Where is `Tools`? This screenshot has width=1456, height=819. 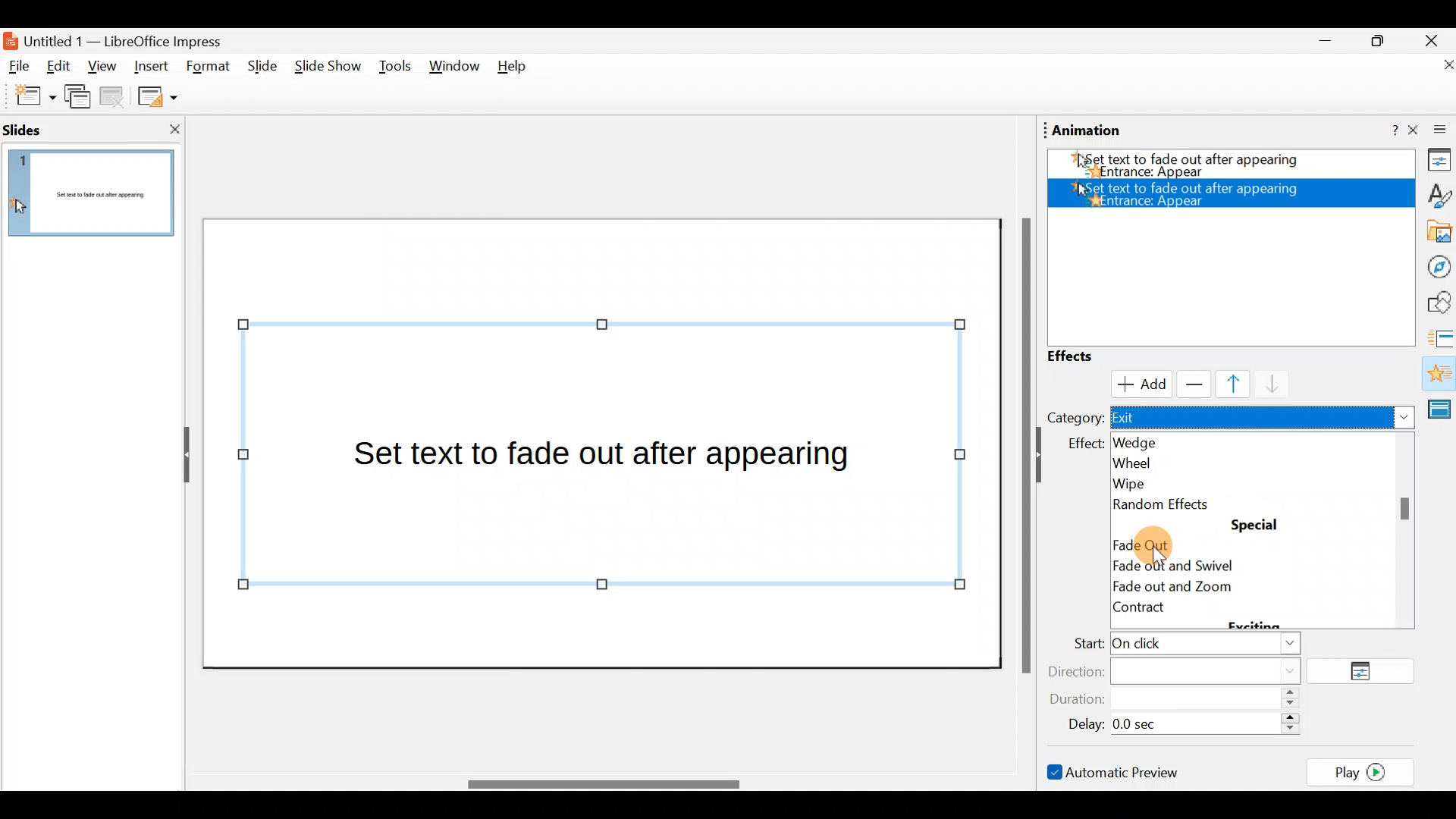
Tools is located at coordinates (395, 69).